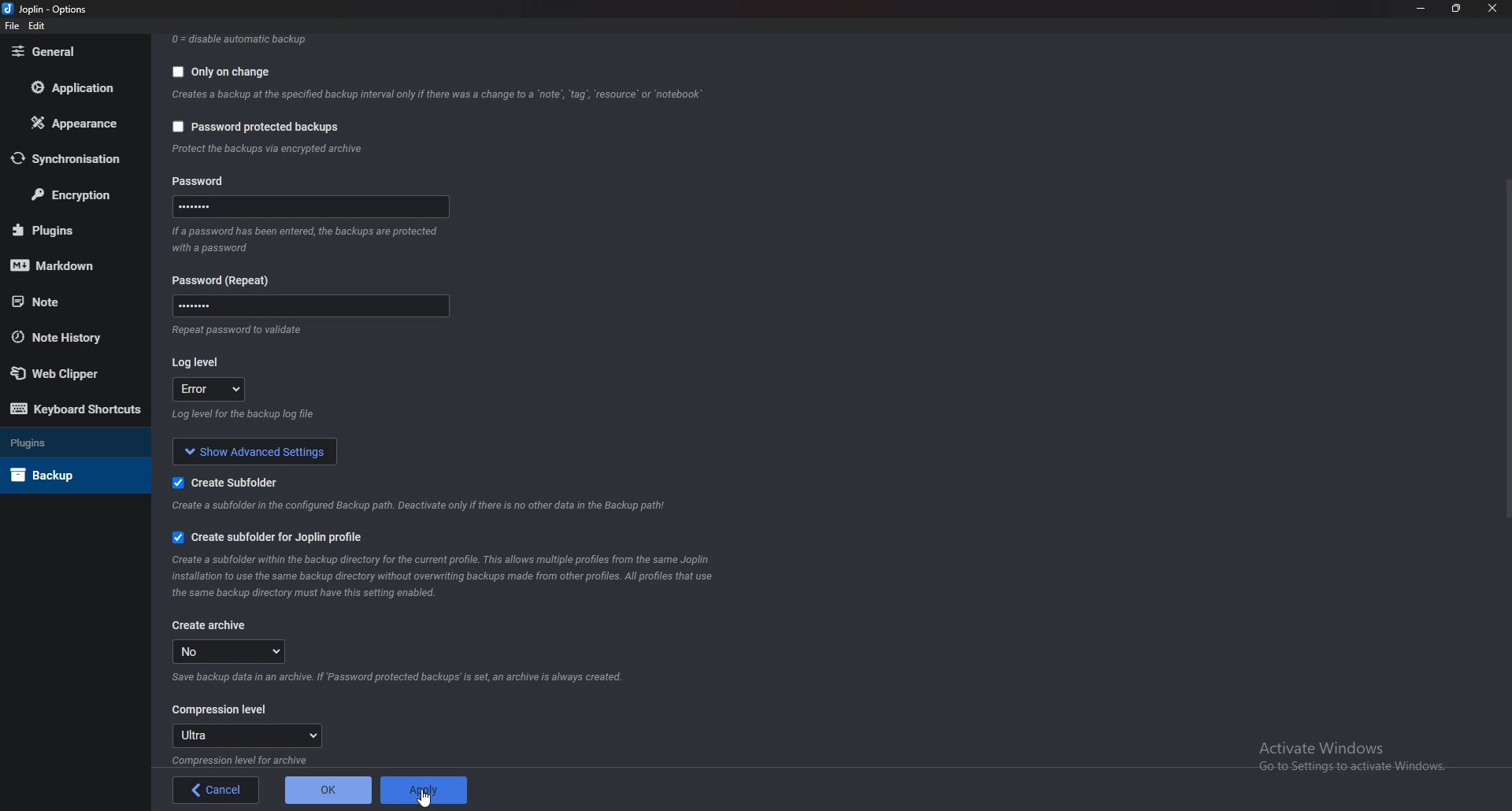 The width and height of the screenshot is (1512, 811). What do you see at coordinates (1457, 9) in the screenshot?
I see `Resize` at bounding box center [1457, 9].